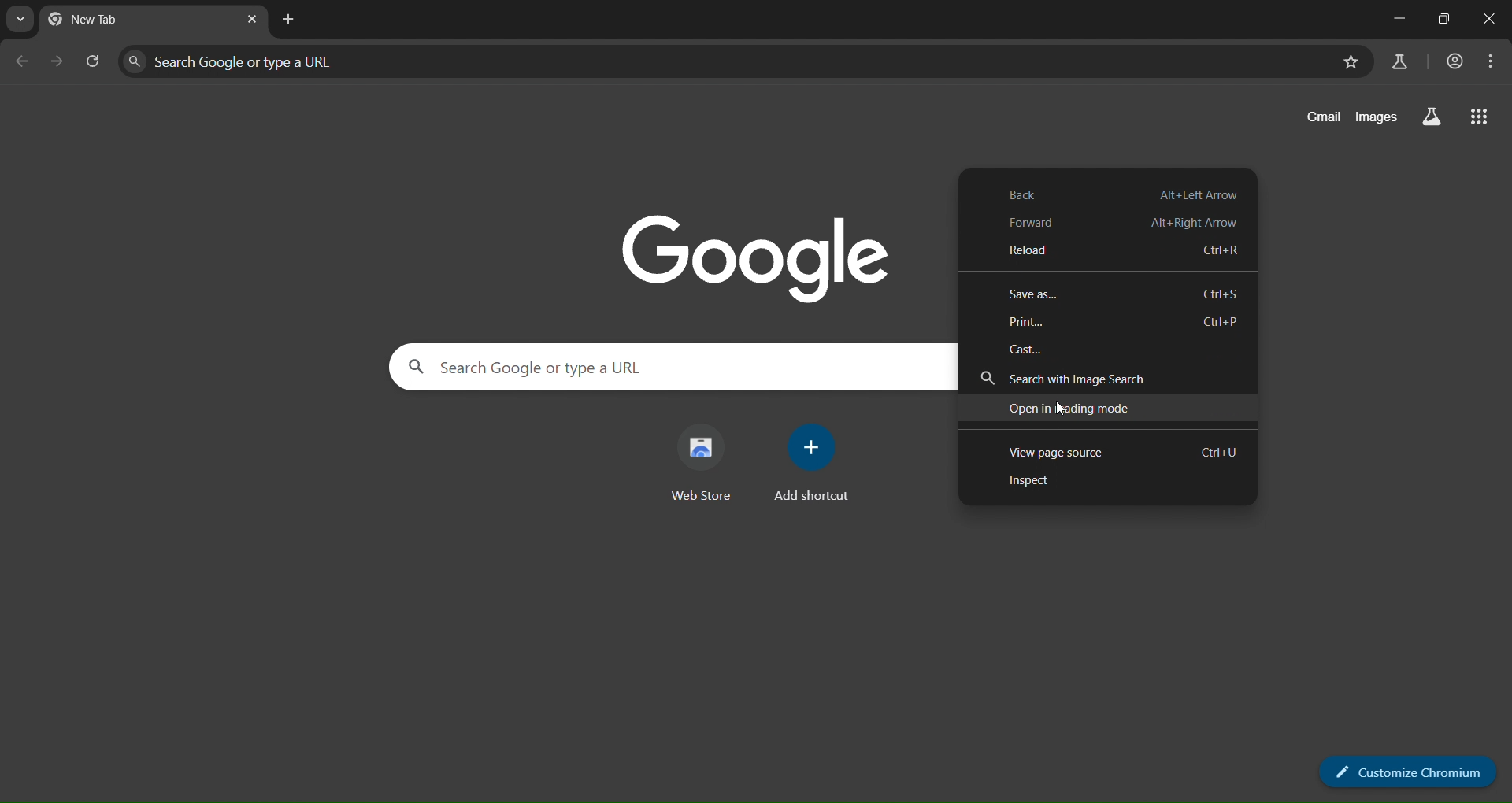  Describe the element at coordinates (1407, 770) in the screenshot. I see `customize chromium` at that location.